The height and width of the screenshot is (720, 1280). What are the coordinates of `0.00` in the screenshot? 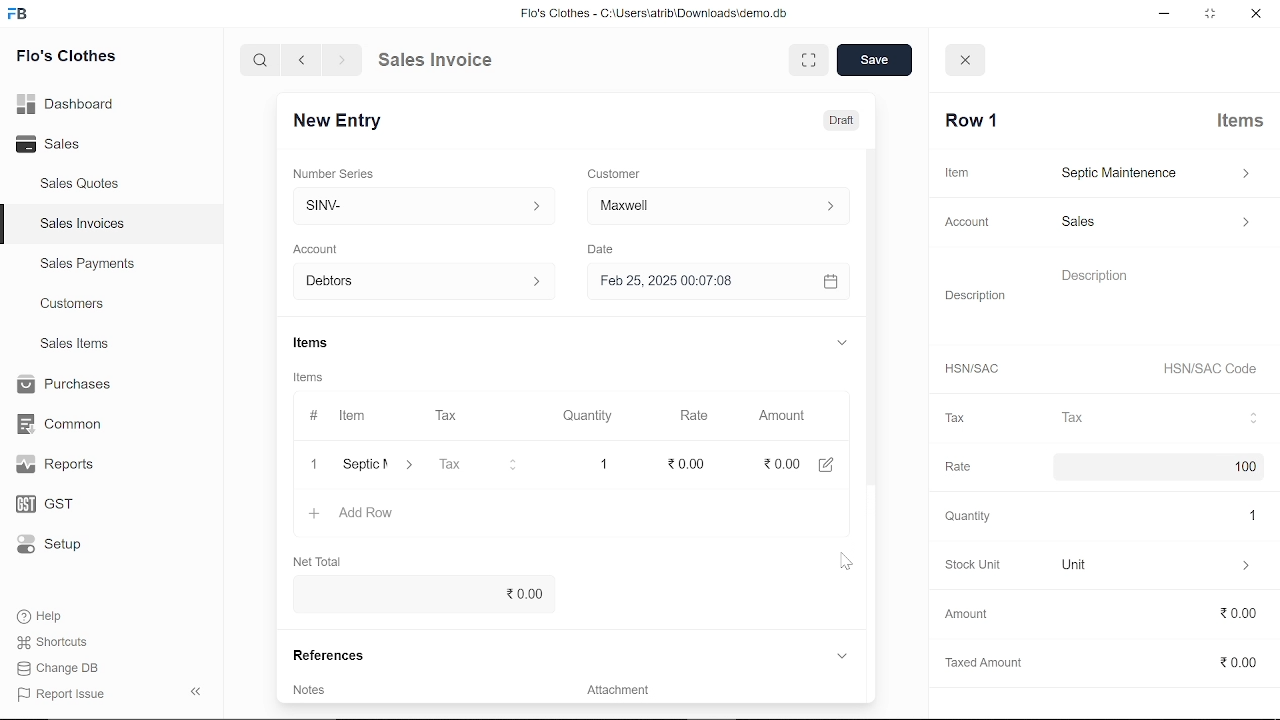 It's located at (1221, 614).